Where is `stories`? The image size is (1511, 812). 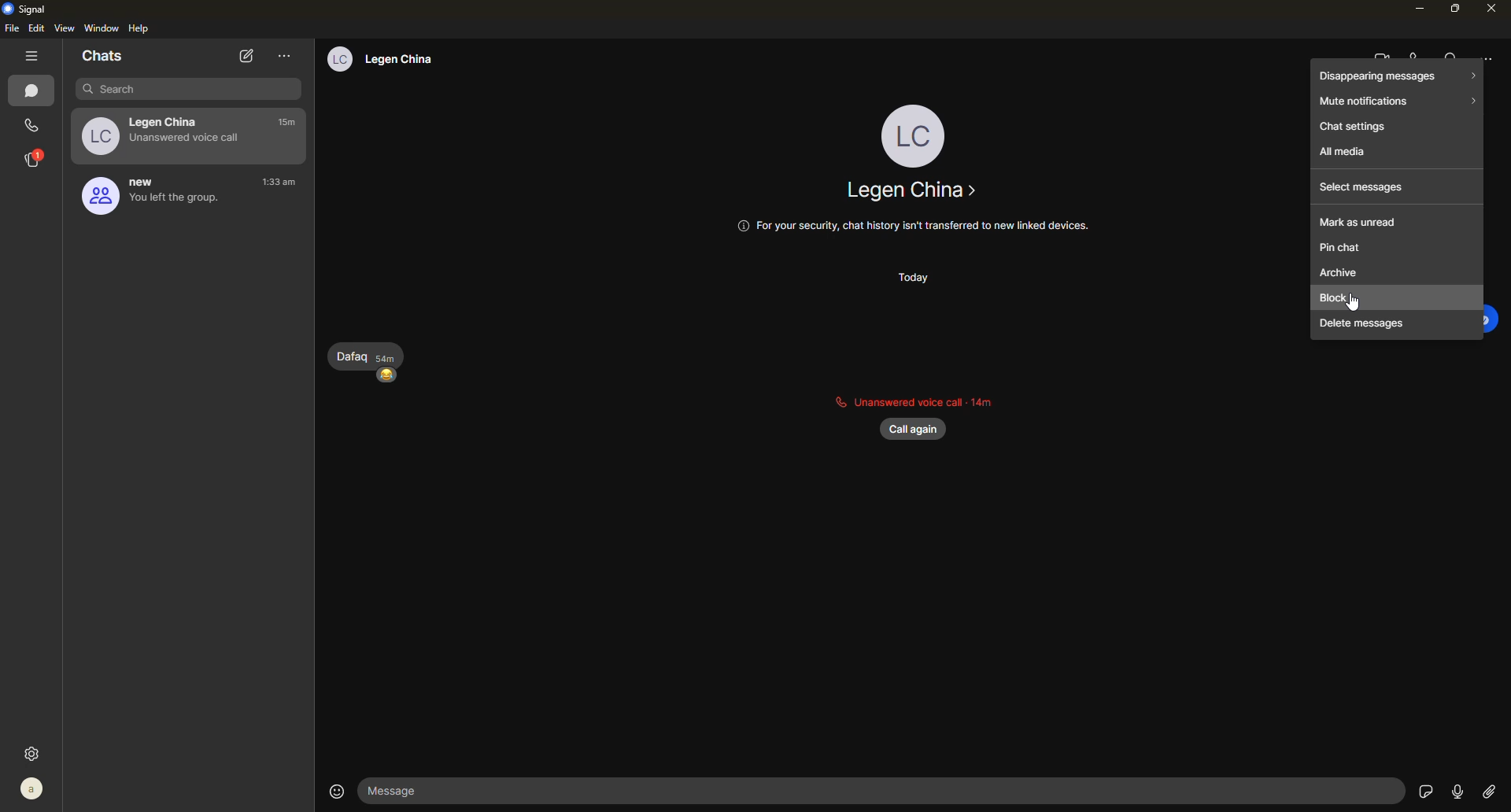
stories is located at coordinates (35, 158).